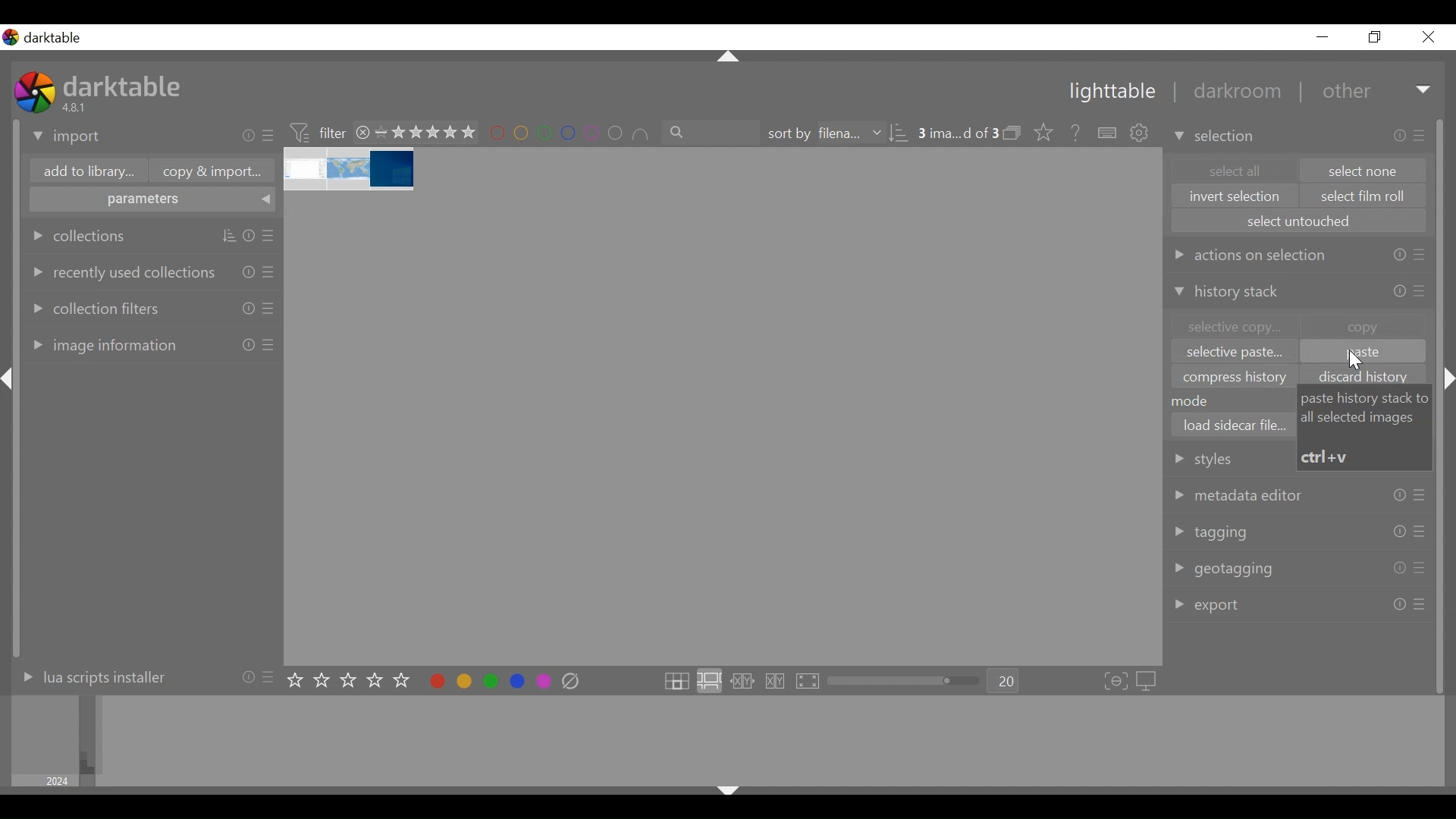  What do you see at coordinates (1211, 532) in the screenshot?
I see `tagging` at bounding box center [1211, 532].